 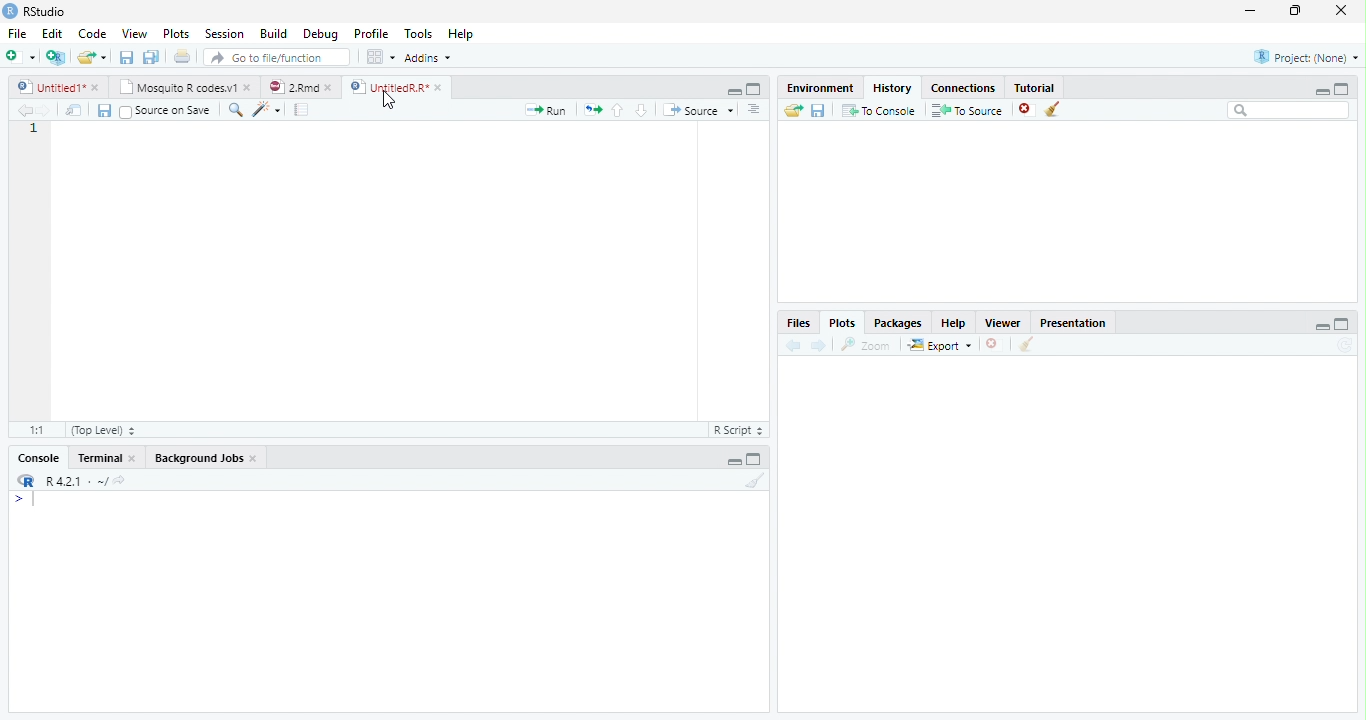 What do you see at coordinates (36, 10) in the screenshot?
I see `Rstudio` at bounding box center [36, 10].